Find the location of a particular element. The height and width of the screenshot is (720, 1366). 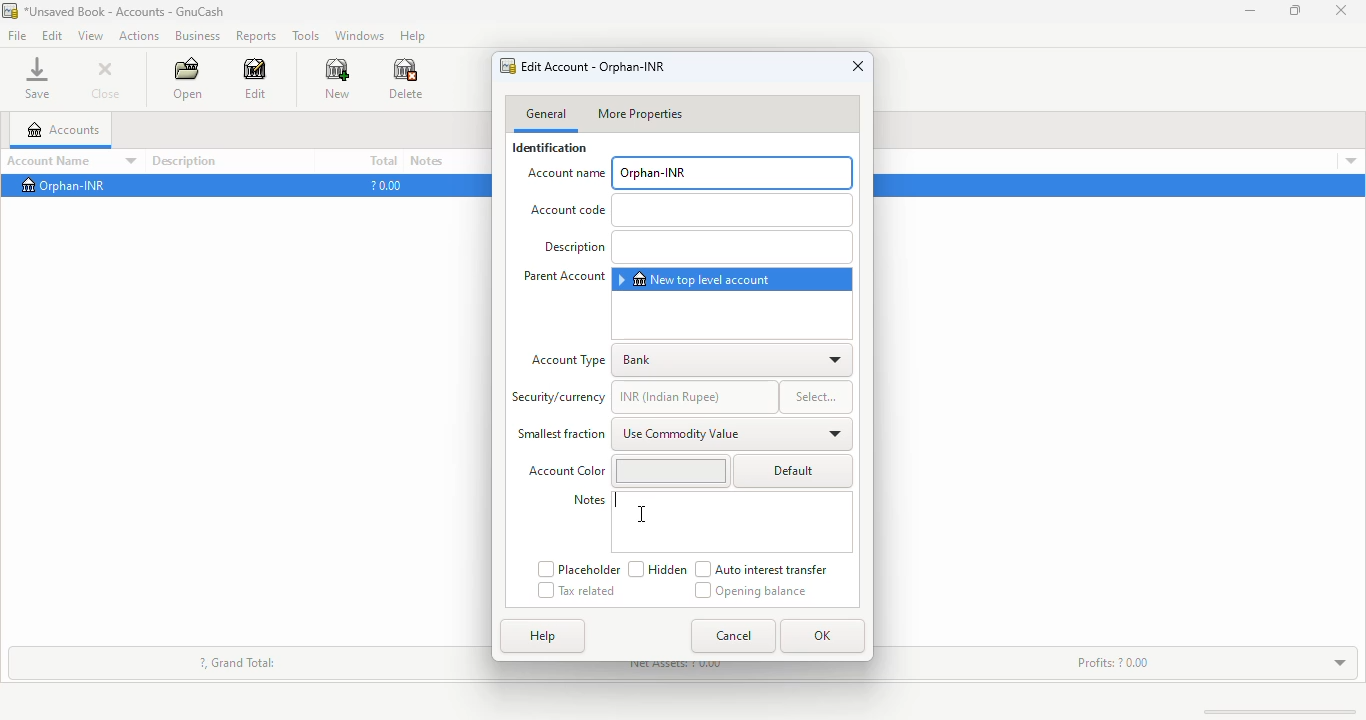

account type is located at coordinates (569, 361).